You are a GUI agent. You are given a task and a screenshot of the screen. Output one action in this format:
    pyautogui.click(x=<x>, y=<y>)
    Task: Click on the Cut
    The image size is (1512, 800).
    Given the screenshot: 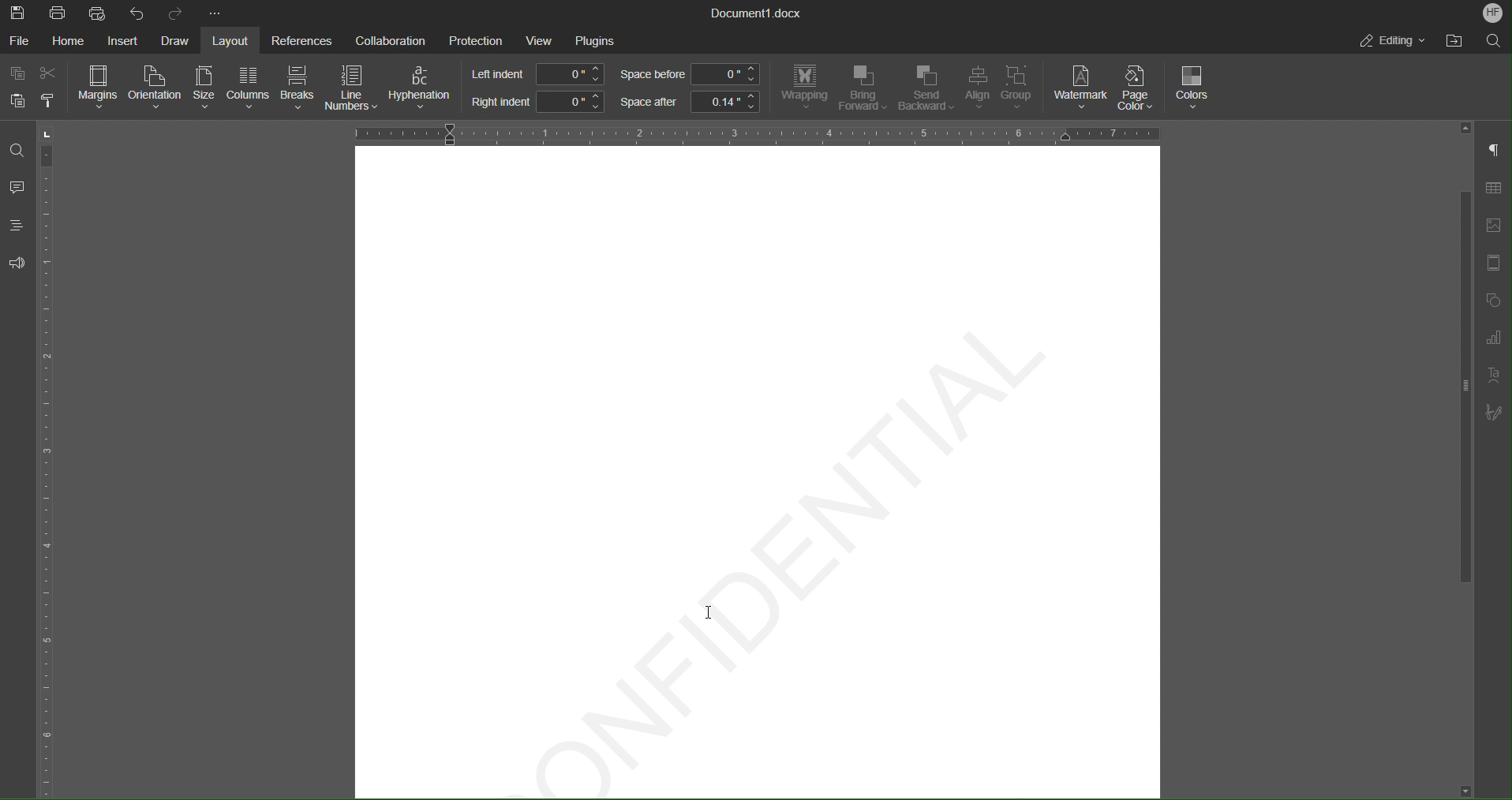 What is the action you would take?
    pyautogui.click(x=51, y=73)
    